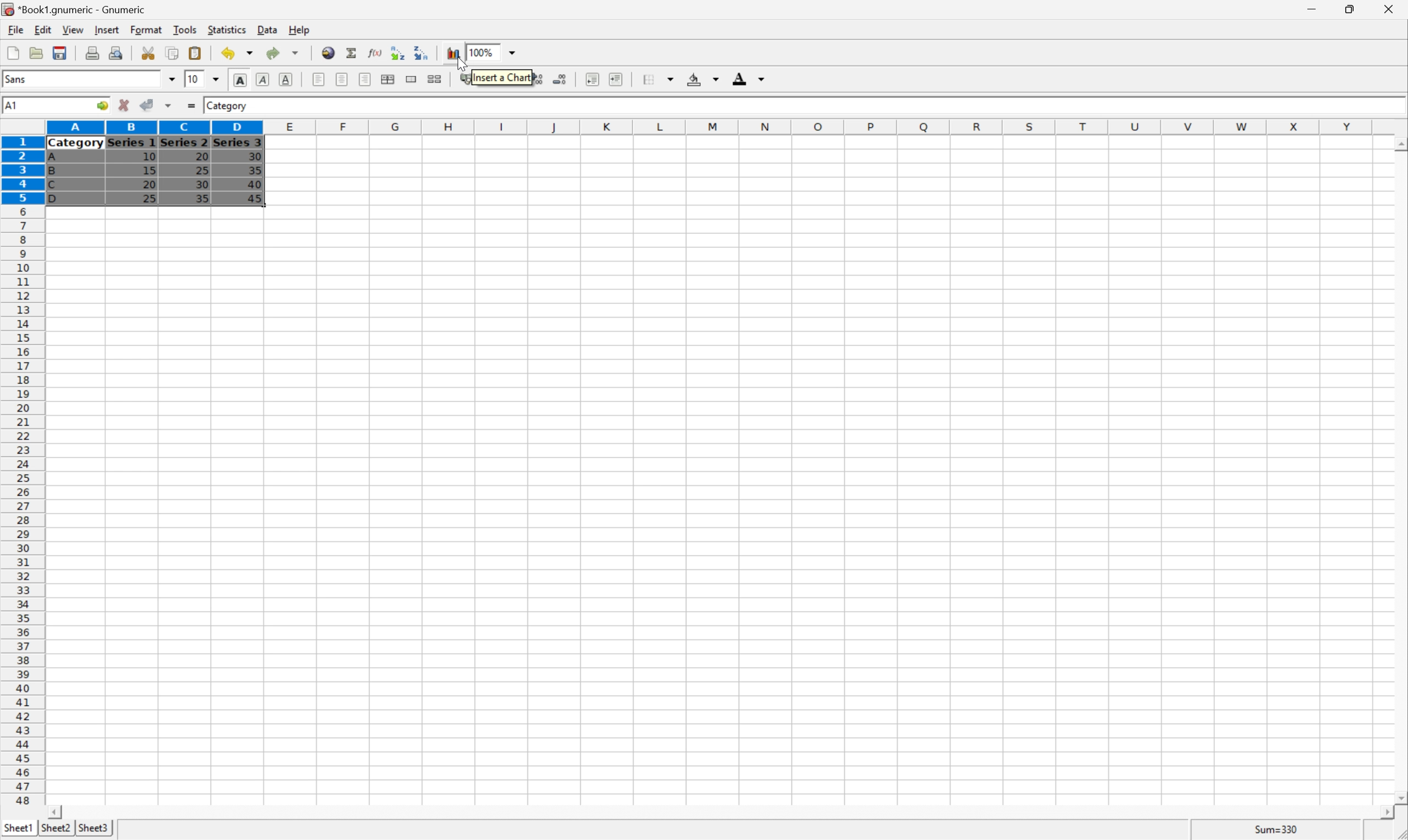  Describe the element at coordinates (57, 812) in the screenshot. I see `Scroll Left` at that location.